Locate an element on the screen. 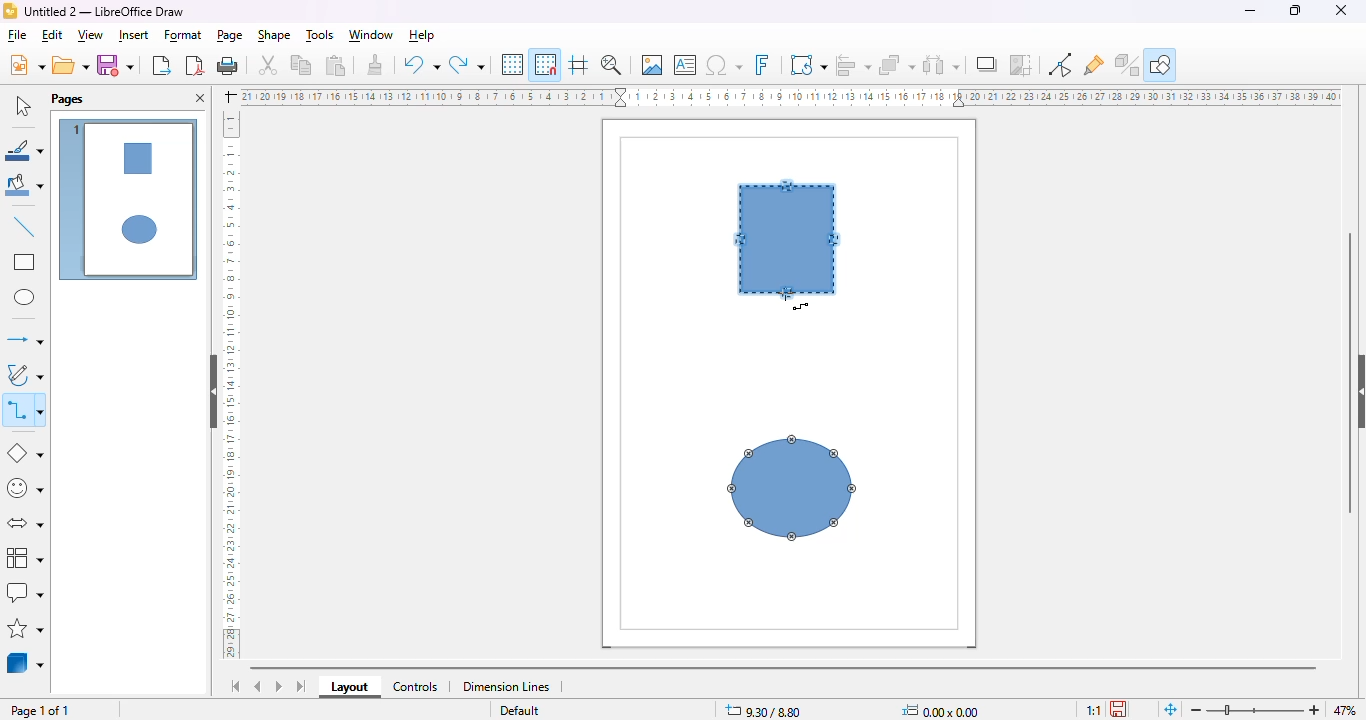 The height and width of the screenshot is (720, 1366). scroll to first sheet is located at coordinates (236, 687).